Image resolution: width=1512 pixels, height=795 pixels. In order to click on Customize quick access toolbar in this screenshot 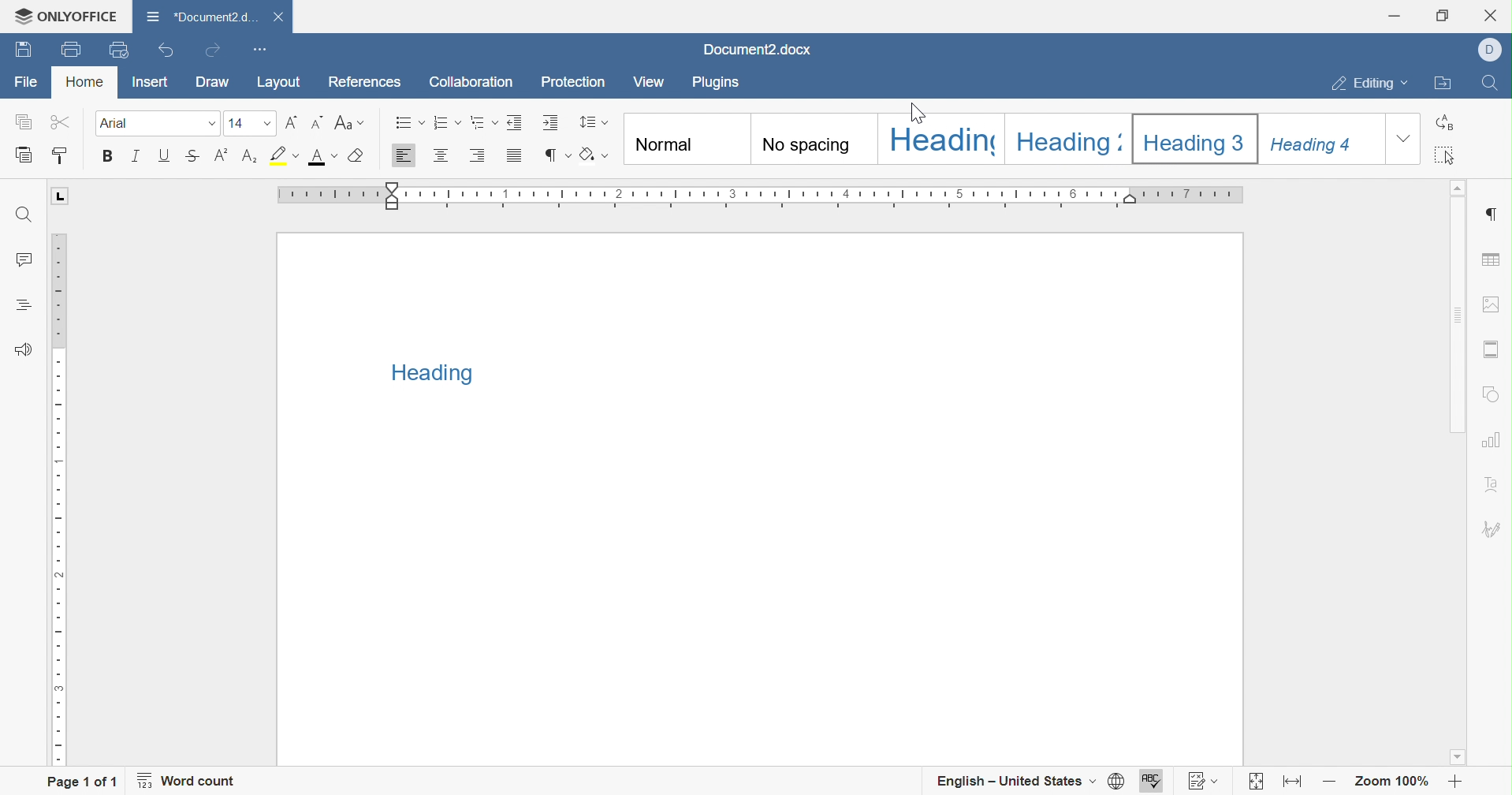, I will do `click(263, 49)`.